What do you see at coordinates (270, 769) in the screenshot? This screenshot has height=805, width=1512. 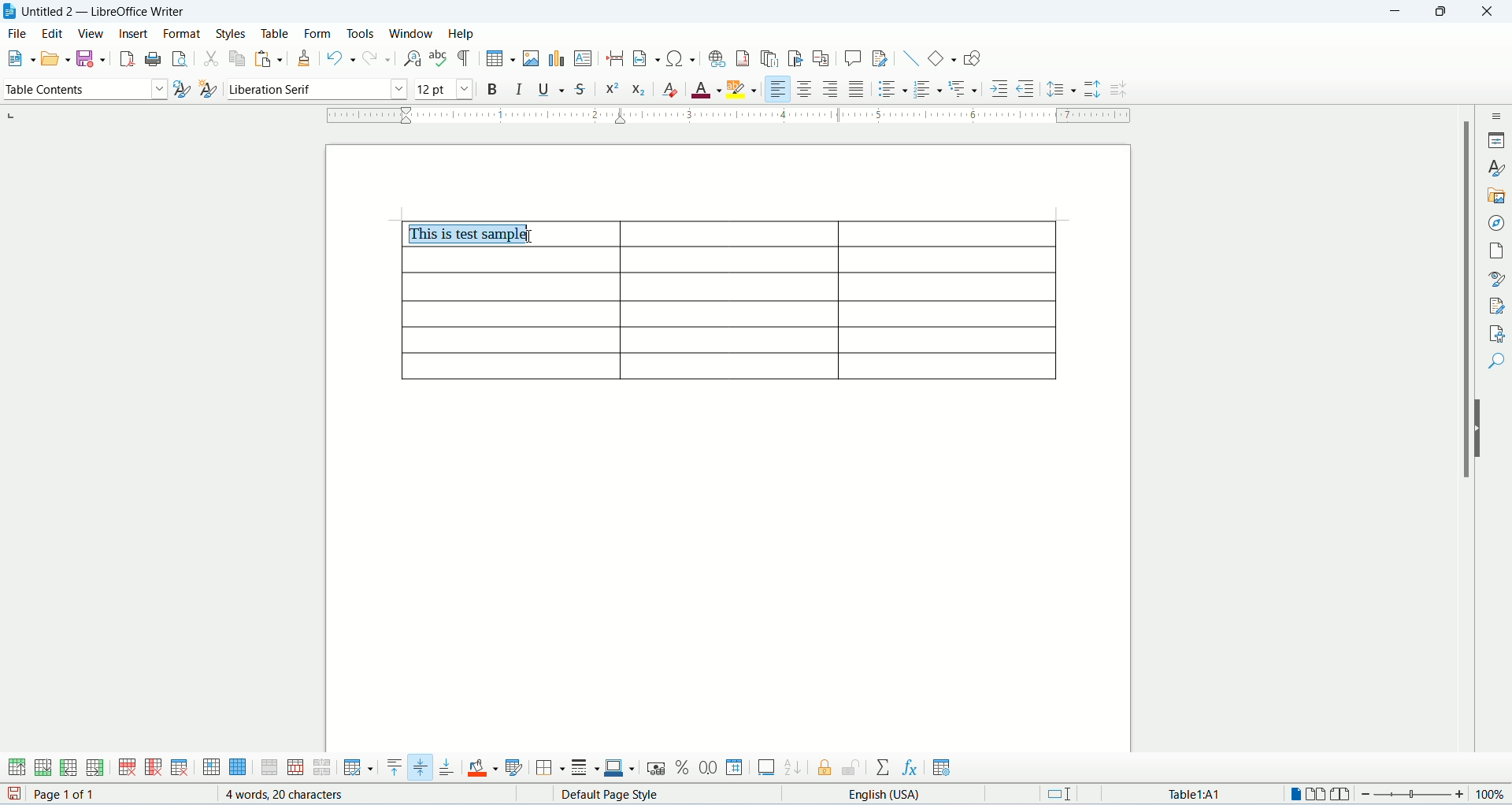 I see `merge cells` at bounding box center [270, 769].